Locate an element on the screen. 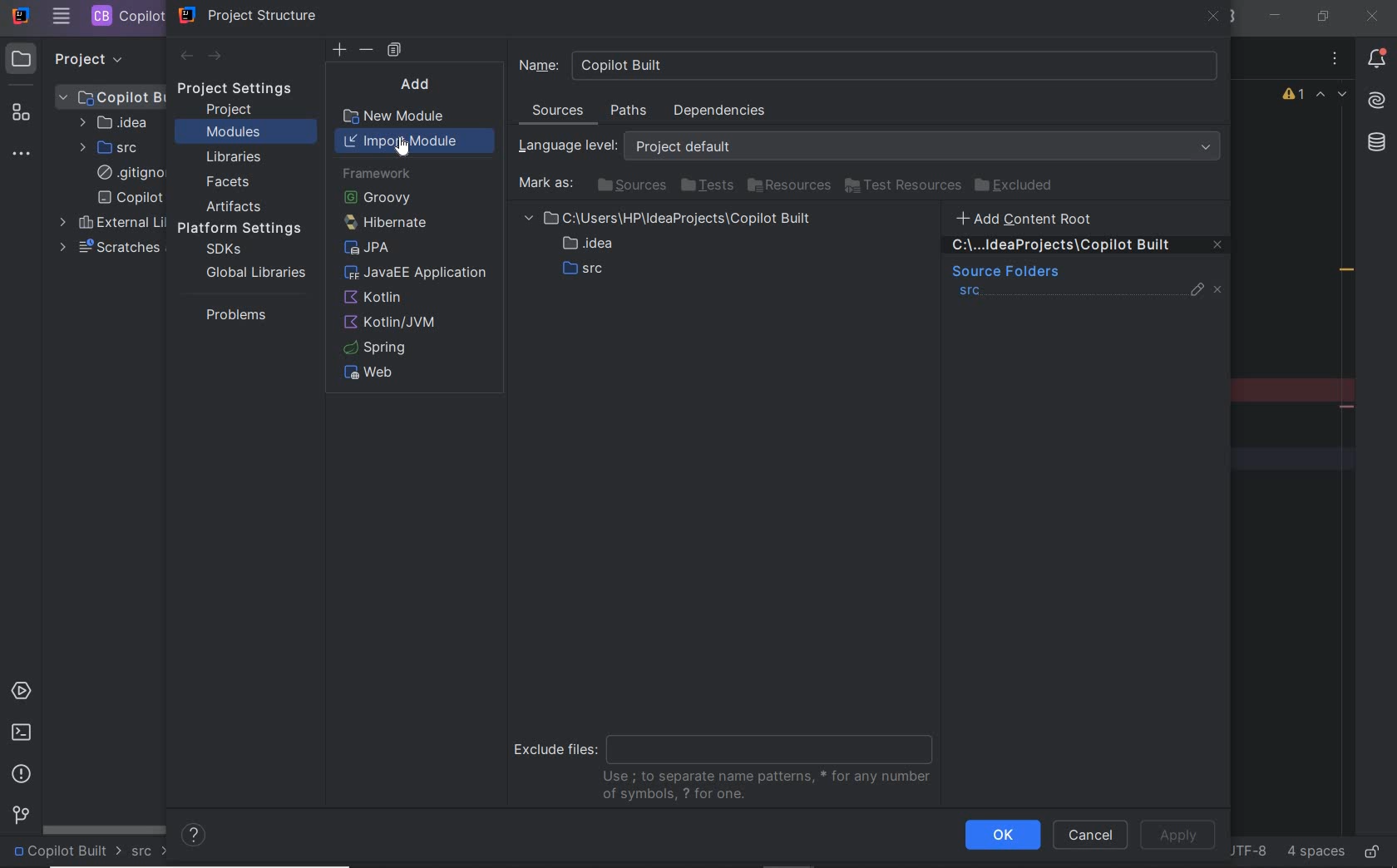 This screenshot has width=1397, height=868. file encoding is located at coordinates (1246, 850).